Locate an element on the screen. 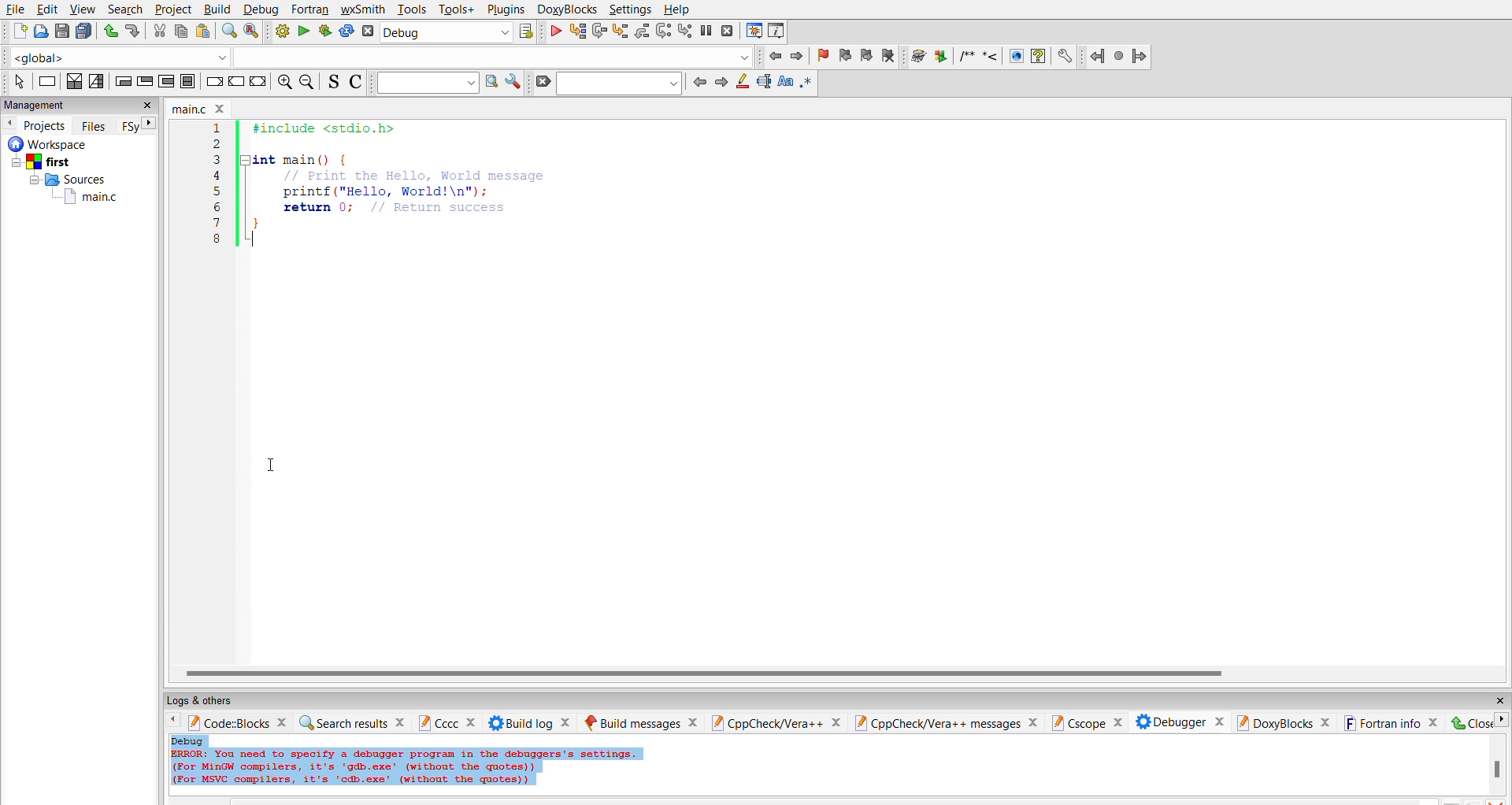  projects is located at coordinates (46, 125).